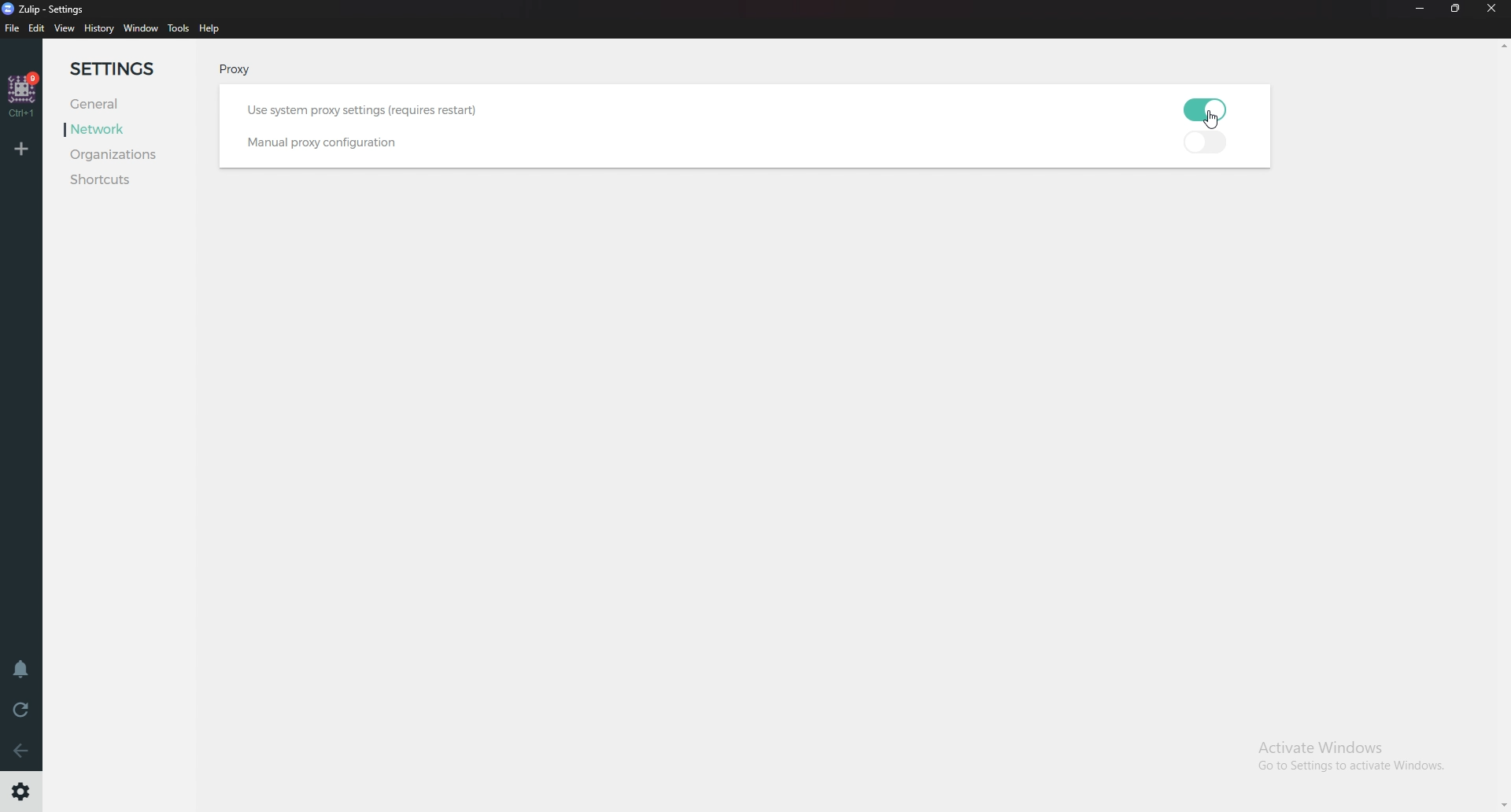 Image resolution: width=1511 pixels, height=812 pixels. Describe the element at coordinates (1214, 123) in the screenshot. I see `Cursor` at that location.